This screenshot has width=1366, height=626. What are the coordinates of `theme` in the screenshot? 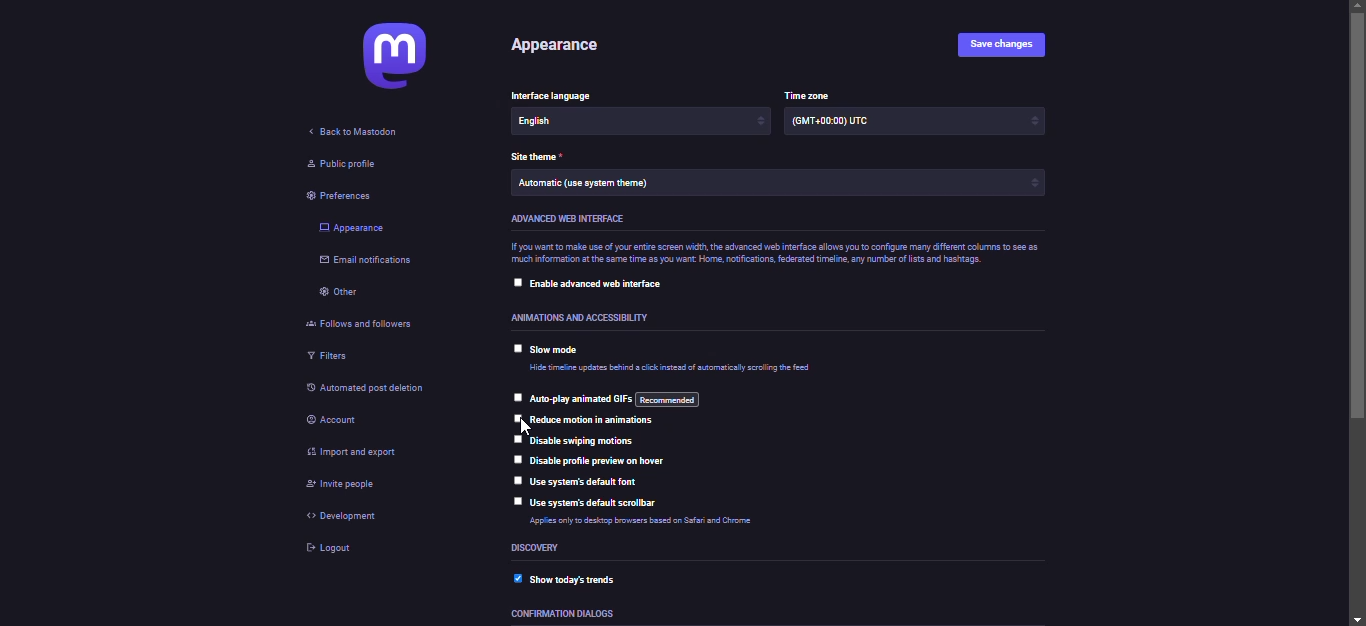 It's located at (588, 186).